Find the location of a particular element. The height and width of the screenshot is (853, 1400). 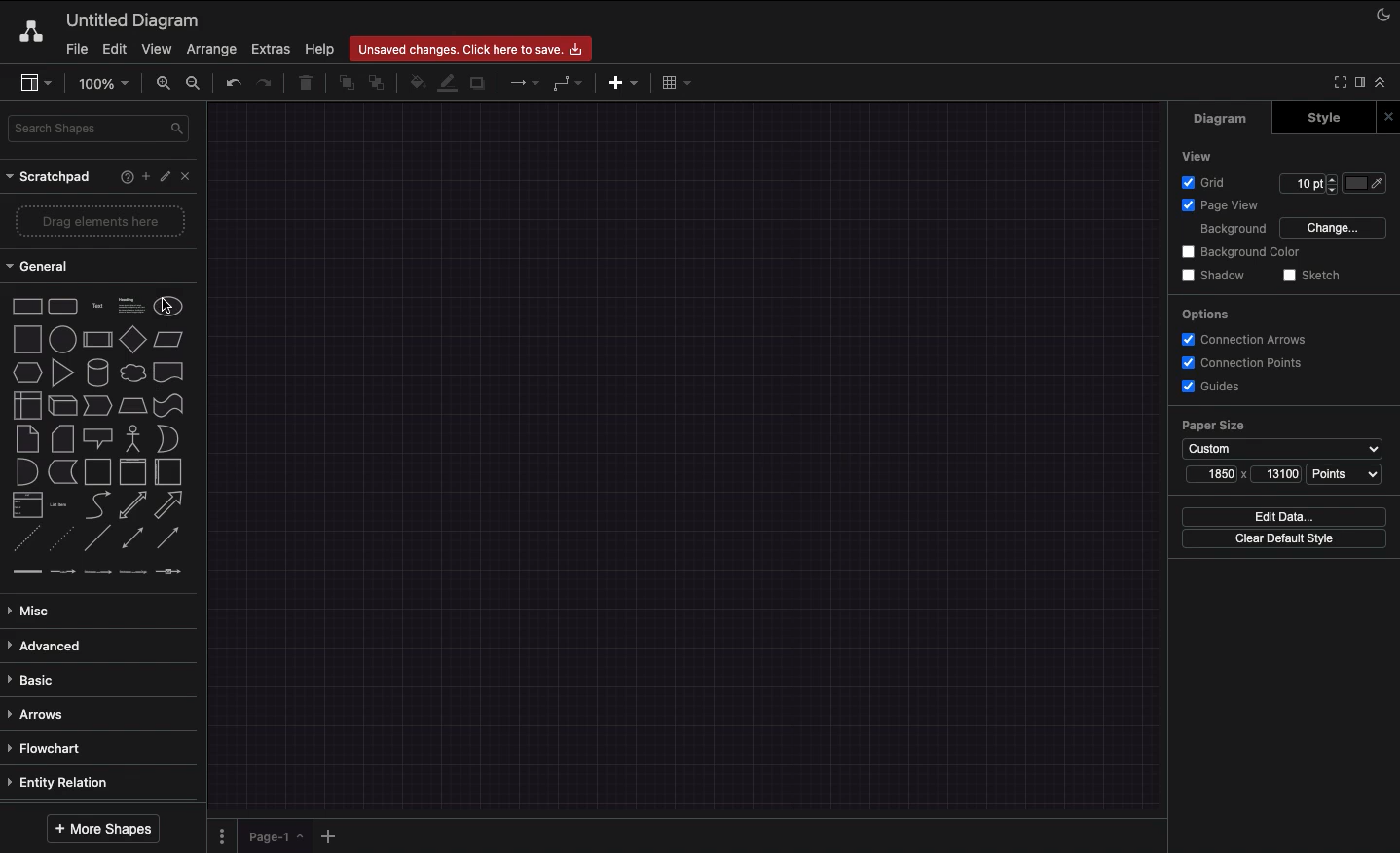

To front is located at coordinates (346, 83).